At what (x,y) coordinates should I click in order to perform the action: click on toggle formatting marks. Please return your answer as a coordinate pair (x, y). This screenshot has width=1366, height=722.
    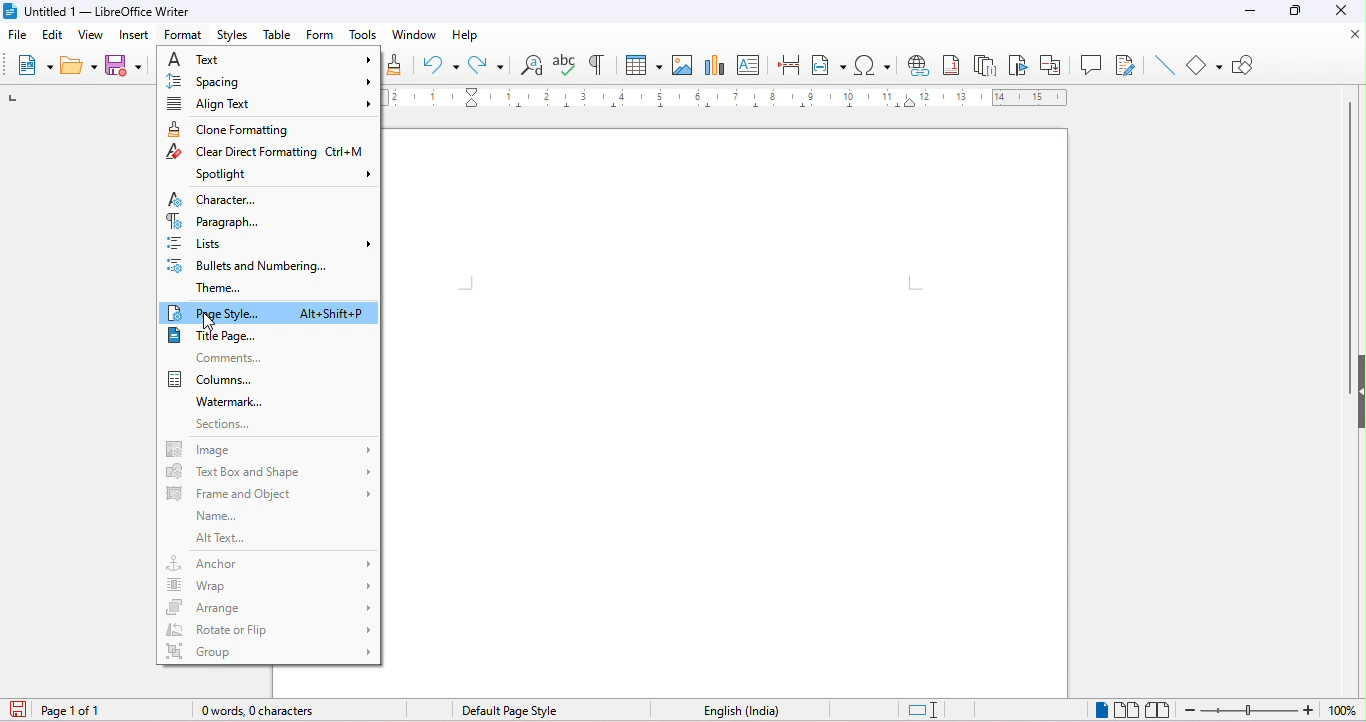
    Looking at the image, I should click on (596, 63).